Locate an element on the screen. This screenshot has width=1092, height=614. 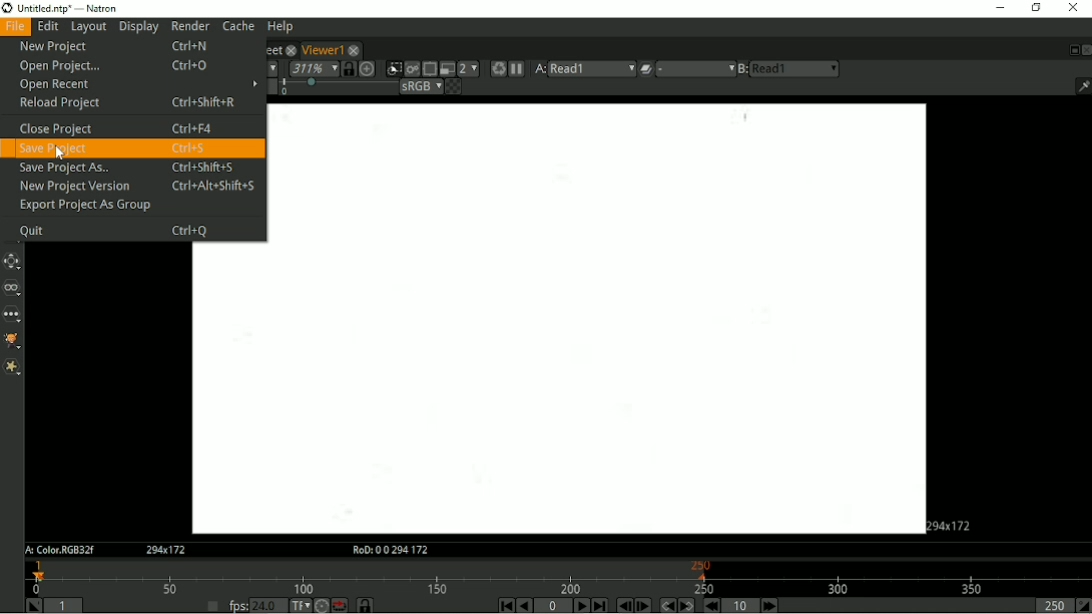
Clips the portion of the image is located at coordinates (393, 69).